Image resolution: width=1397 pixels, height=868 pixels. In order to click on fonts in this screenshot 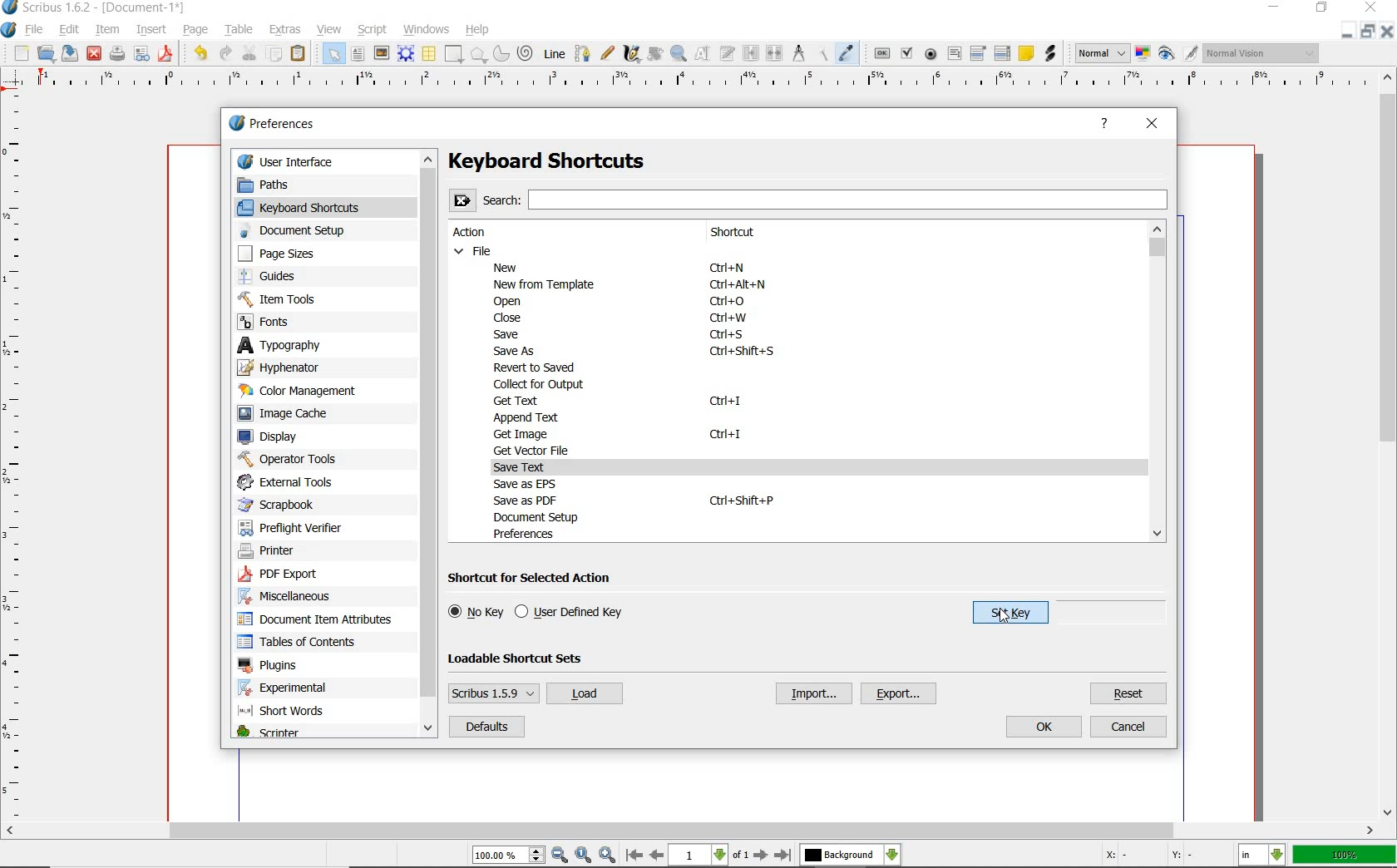, I will do `click(282, 323)`.